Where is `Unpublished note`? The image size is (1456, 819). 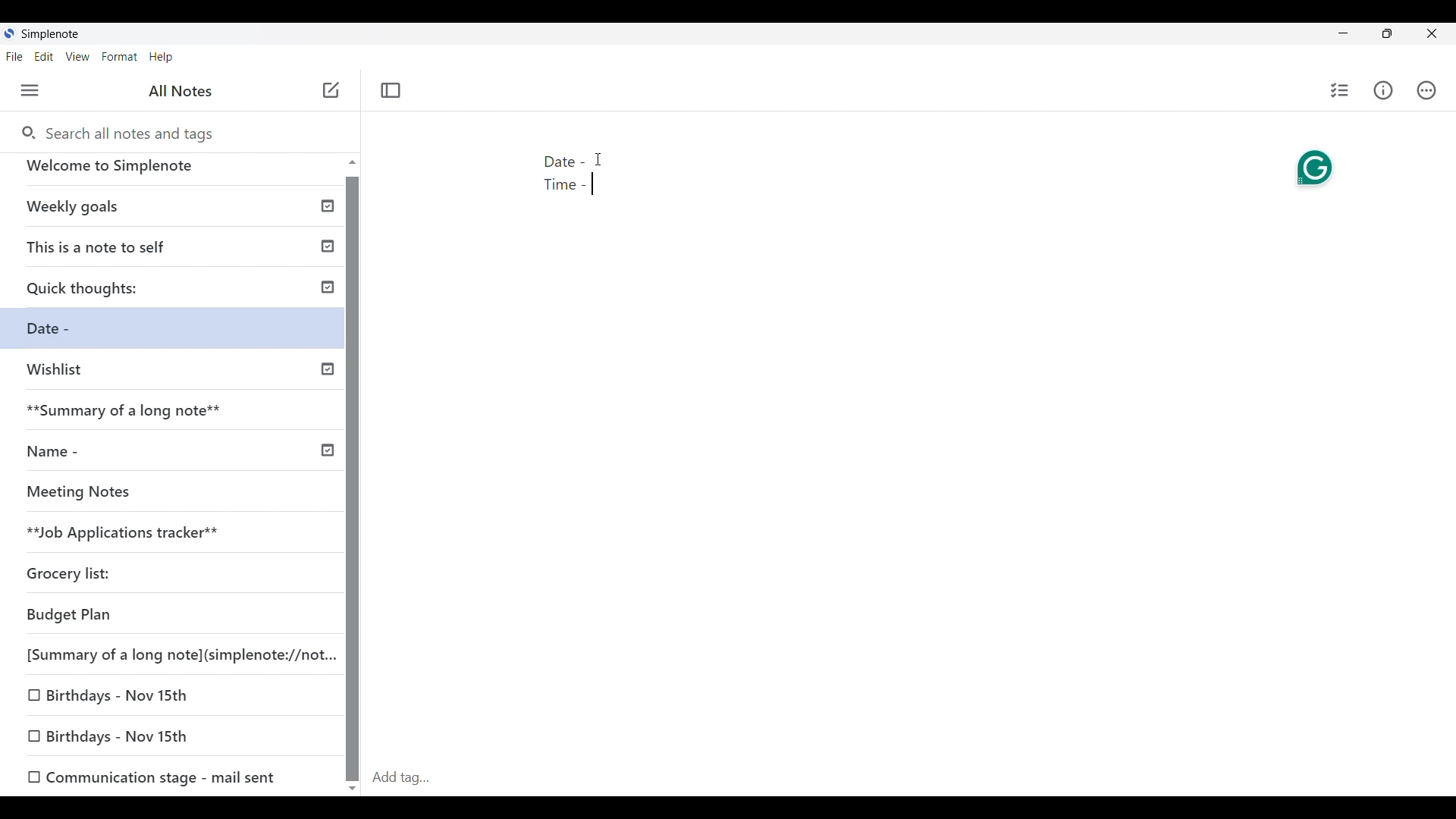 Unpublished note is located at coordinates (177, 376).